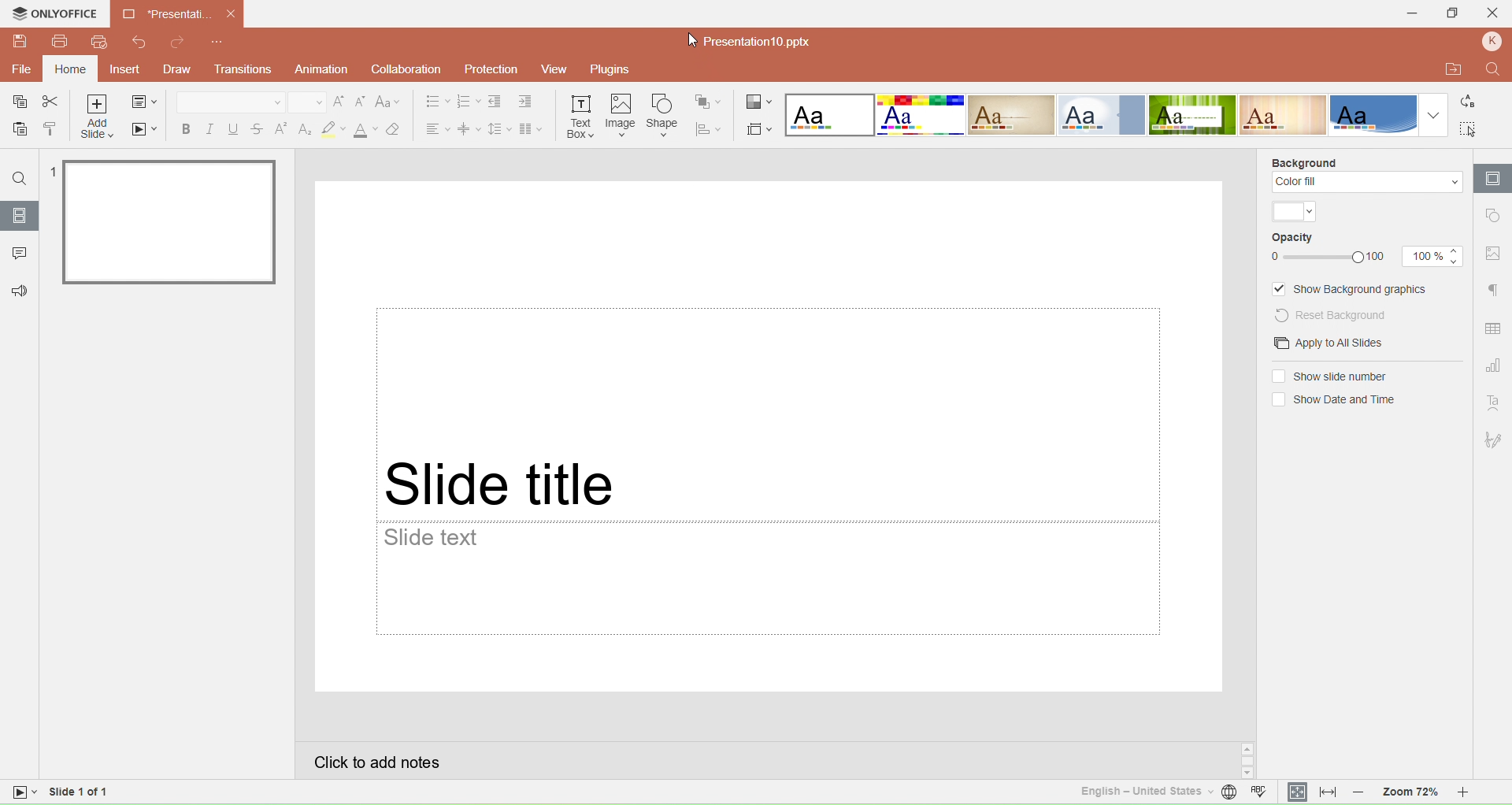  What do you see at coordinates (1495, 15) in the screenshot?
I see `Close` at bounding box center [1495, 15].